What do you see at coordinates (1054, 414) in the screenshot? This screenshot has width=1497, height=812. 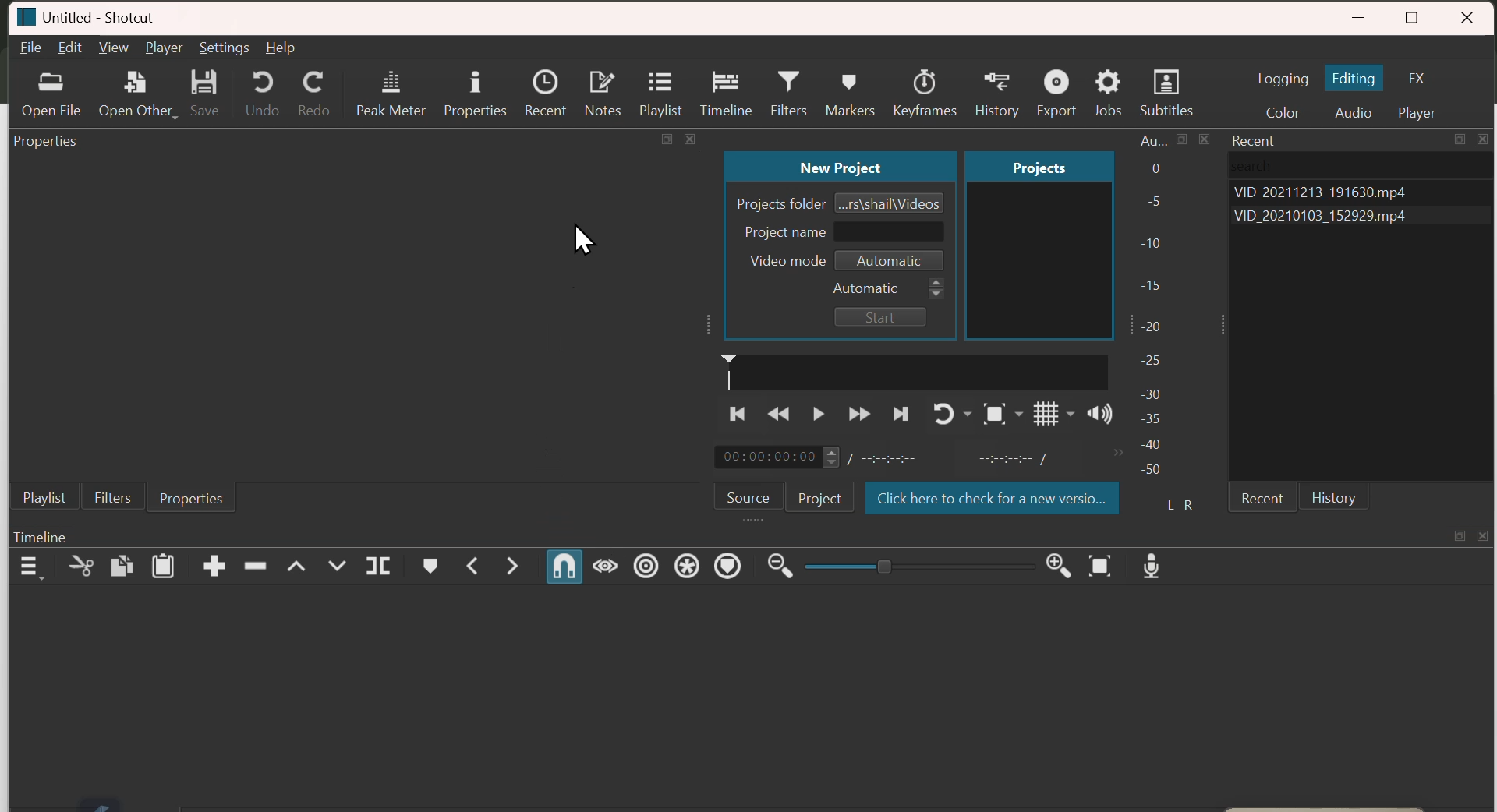 I see `Grid lines` at bounding box center [1054, 414].